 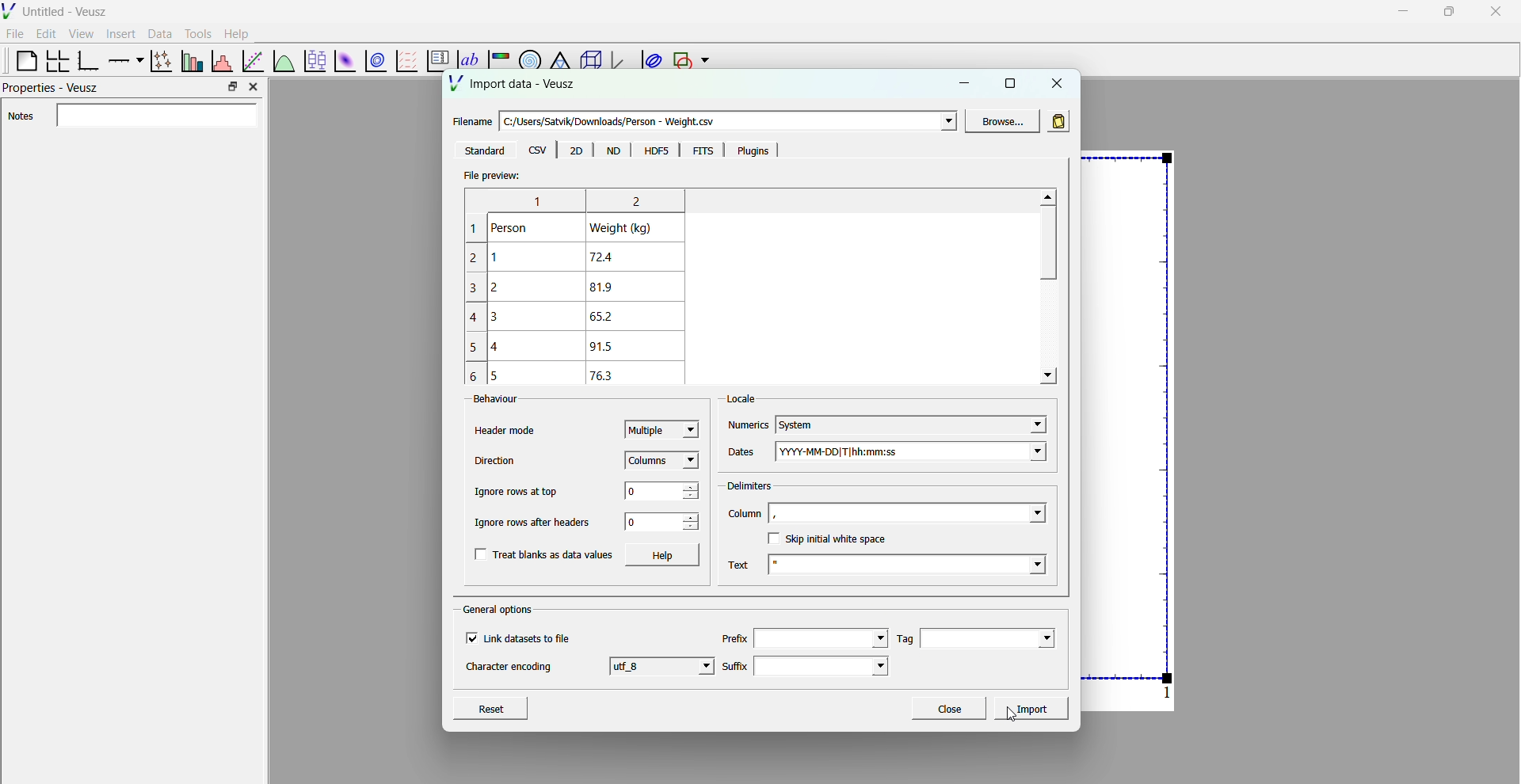 What do you see at coordinates (821, 637) in the screenshot?
I see `prefix dropdown` at bounding box center [821, 637].